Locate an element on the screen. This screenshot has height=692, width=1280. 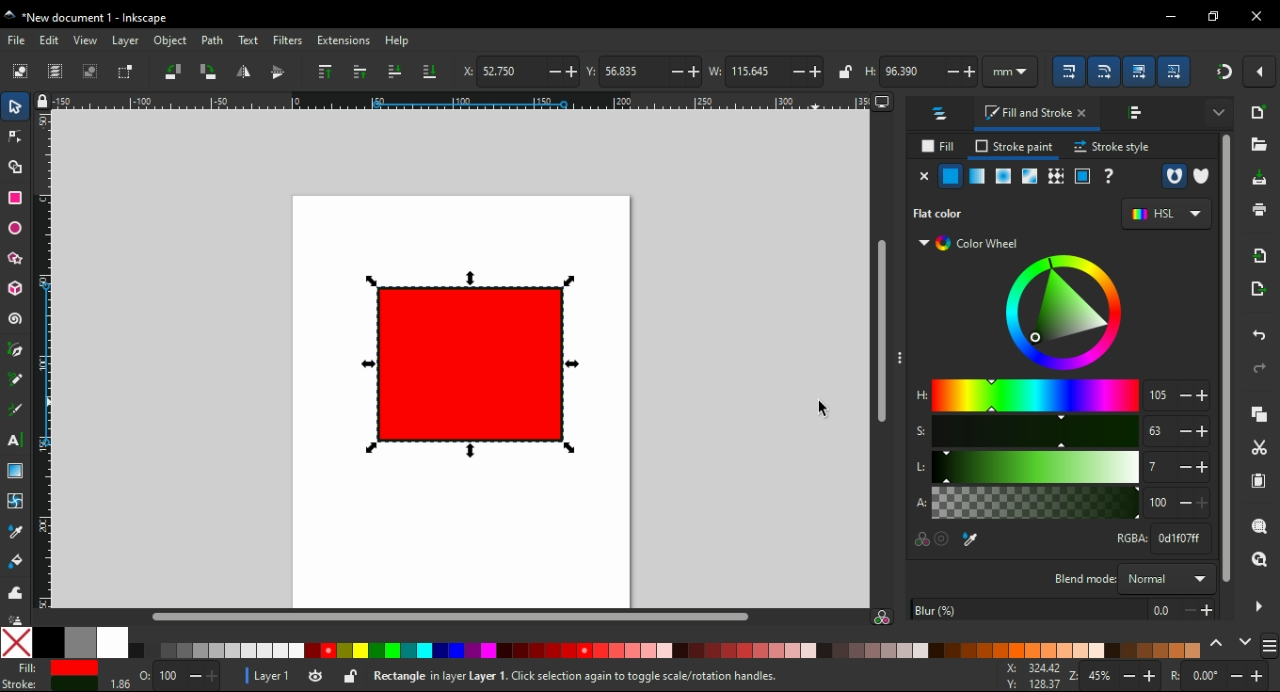
lower to bottom is located at coordinates (429, 70).